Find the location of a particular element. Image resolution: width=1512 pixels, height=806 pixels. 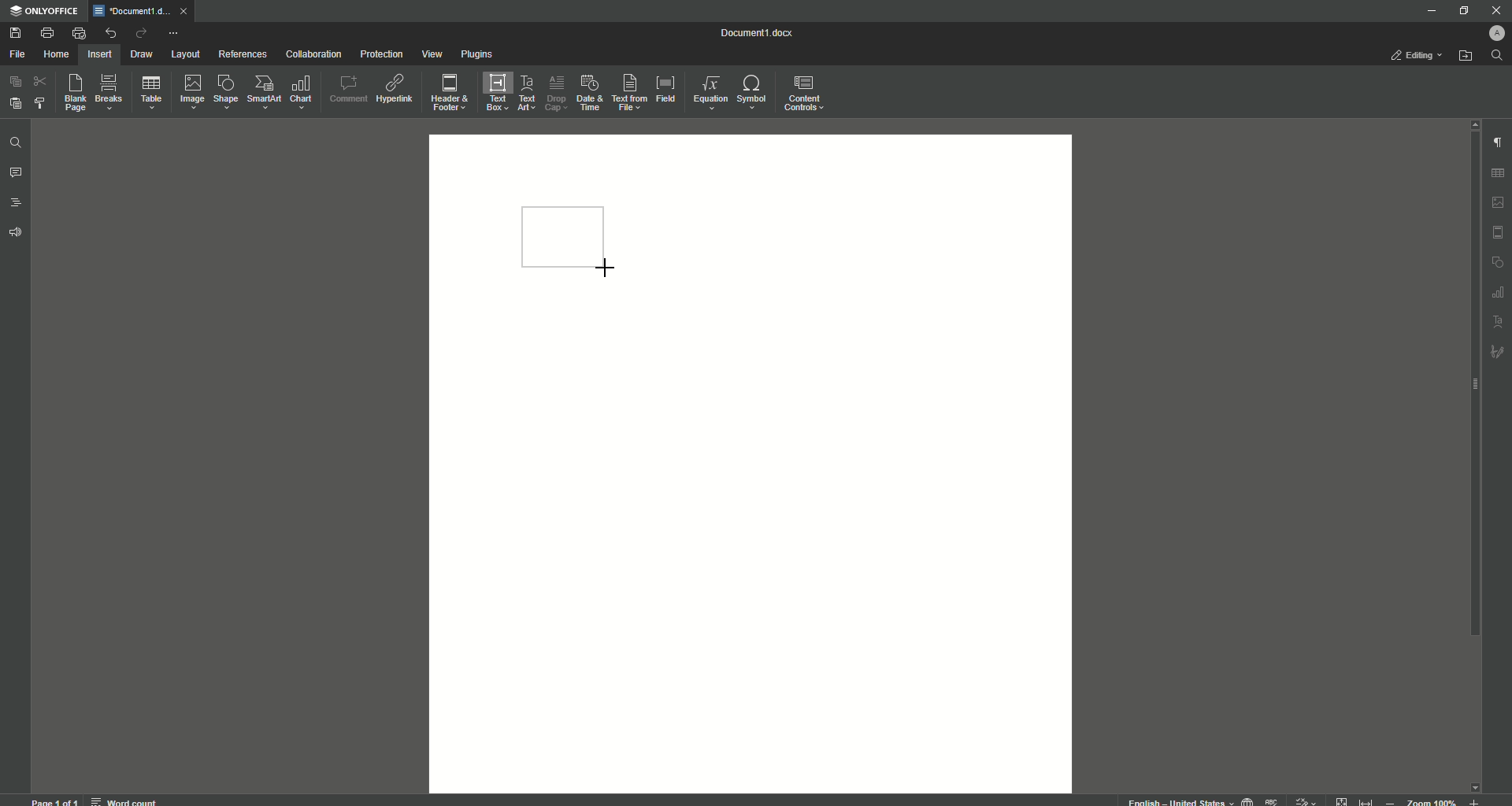

spell checking is located at coordinates (1273, 800).